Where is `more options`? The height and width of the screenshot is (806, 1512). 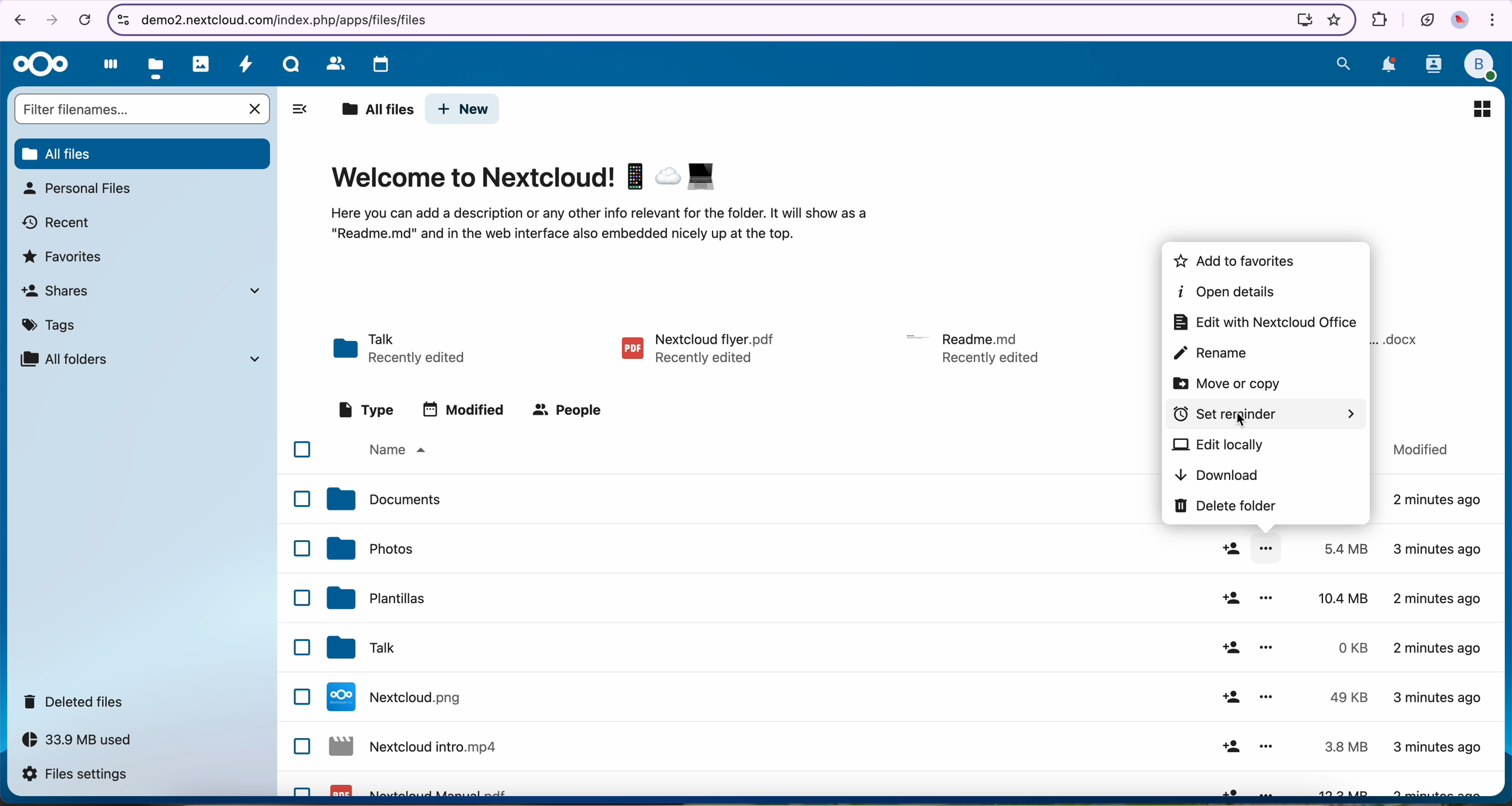 more options is located at coordinates (1268, 600).